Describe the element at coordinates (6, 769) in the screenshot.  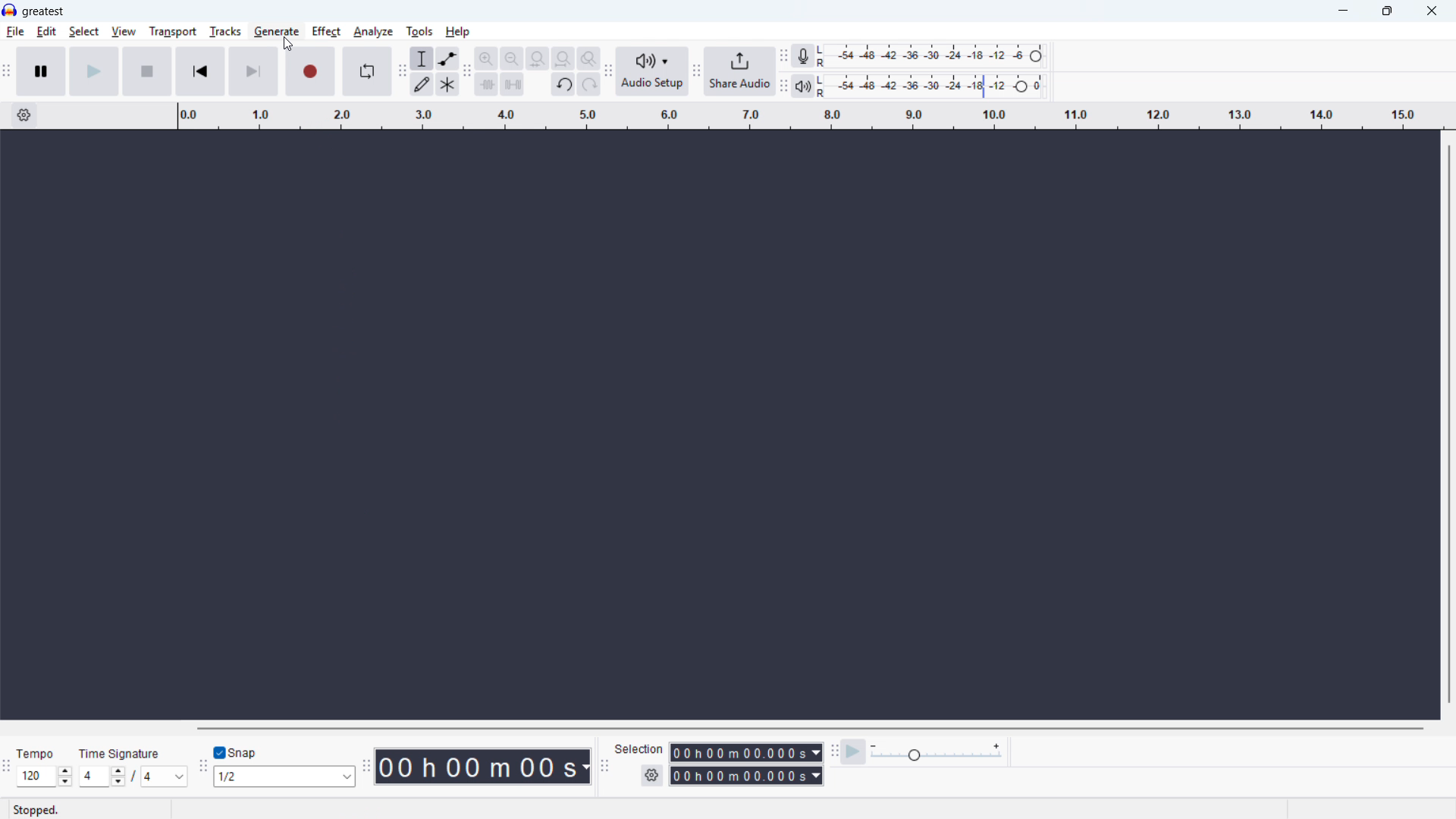
I see `Time signature toolbar ` at that location.